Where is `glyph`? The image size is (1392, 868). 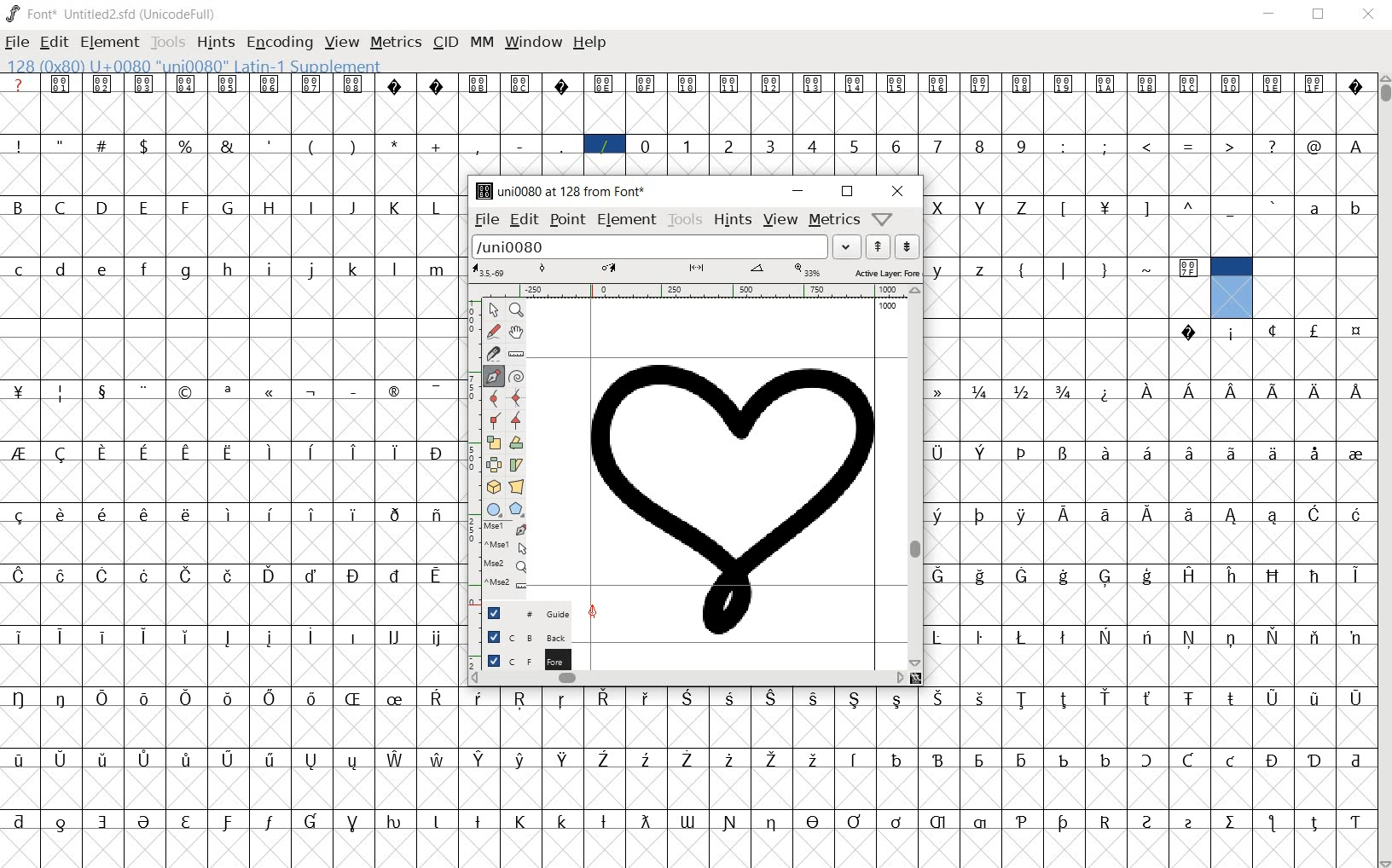
glyph is located at coordinates (101, 636).